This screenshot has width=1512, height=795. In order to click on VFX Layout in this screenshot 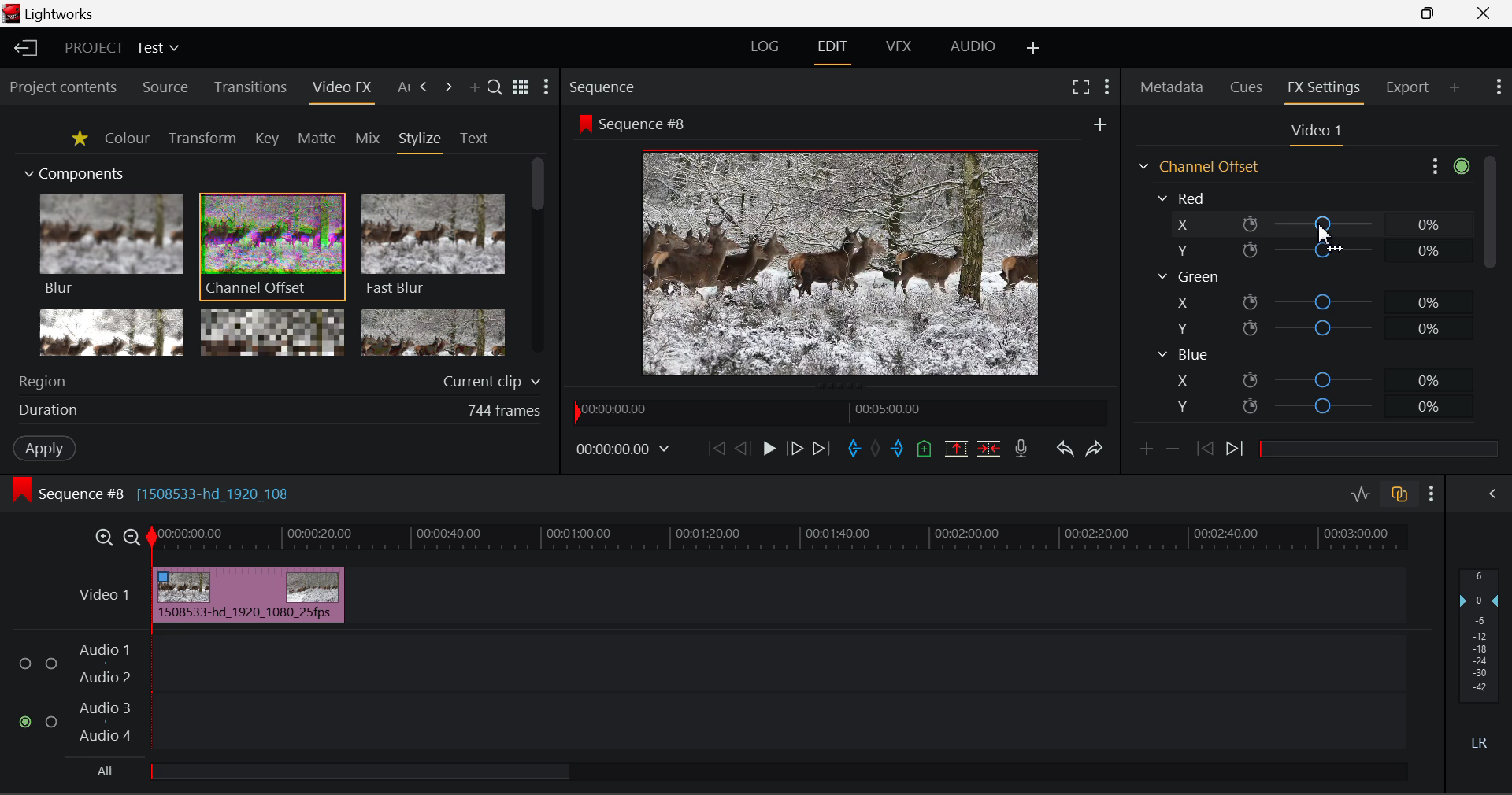, I will do `click(899, 50)`.